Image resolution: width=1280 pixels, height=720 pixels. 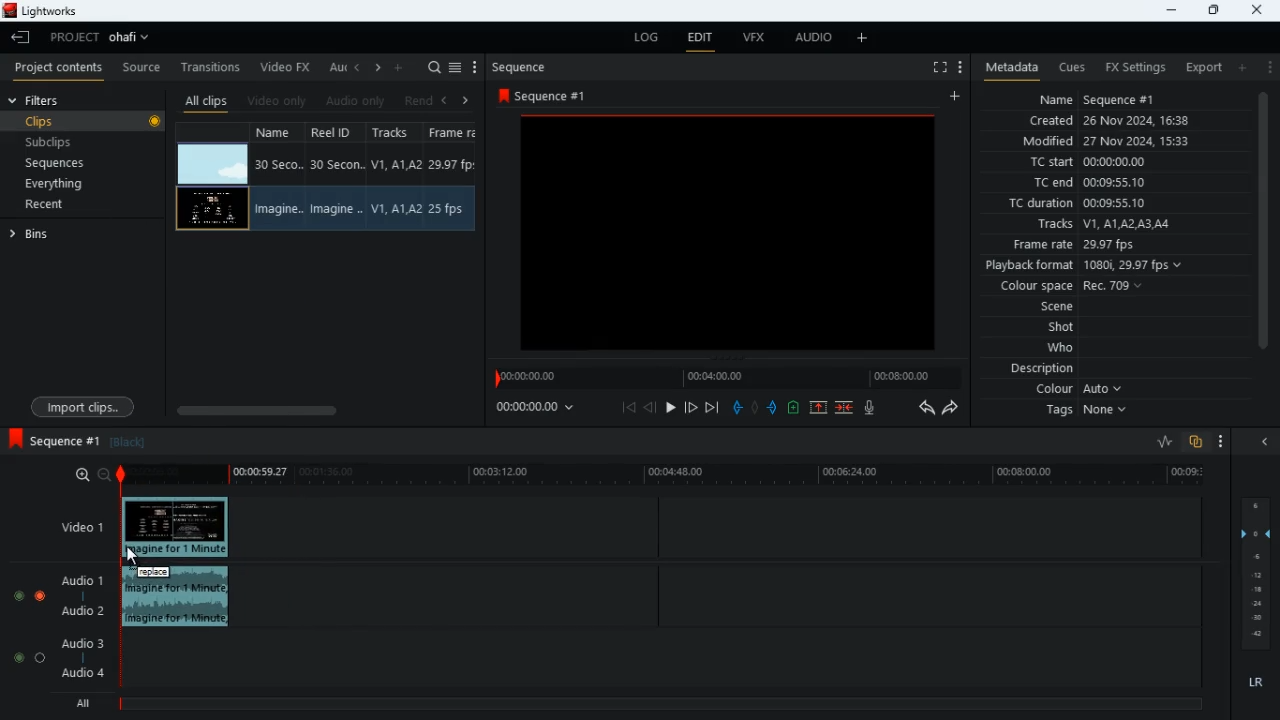 I want to click on Name, so click(x=278, y=164).